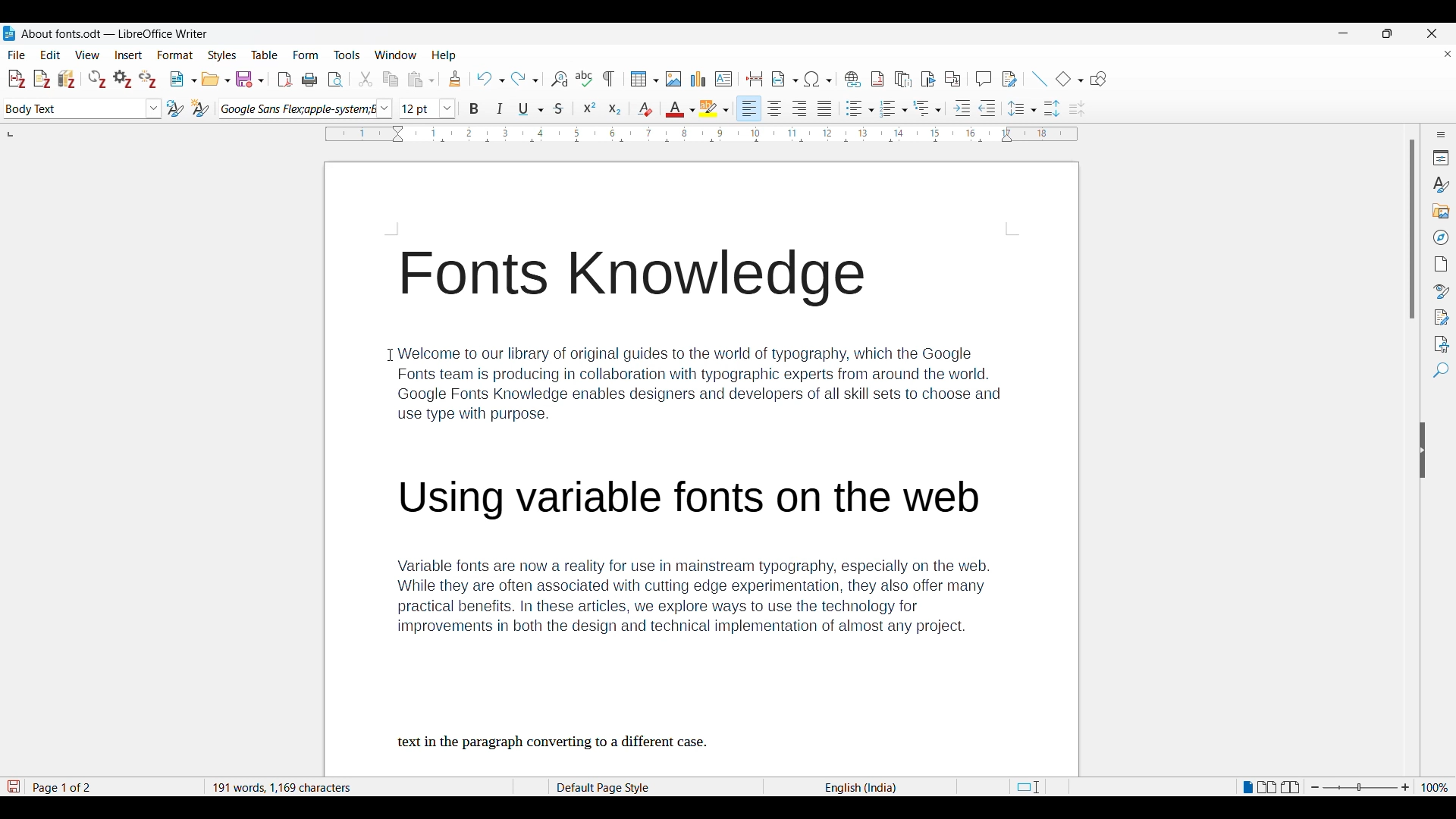 This screenshot has width=1456, height=819. I want to click on Increase indent, so click(962, 108).